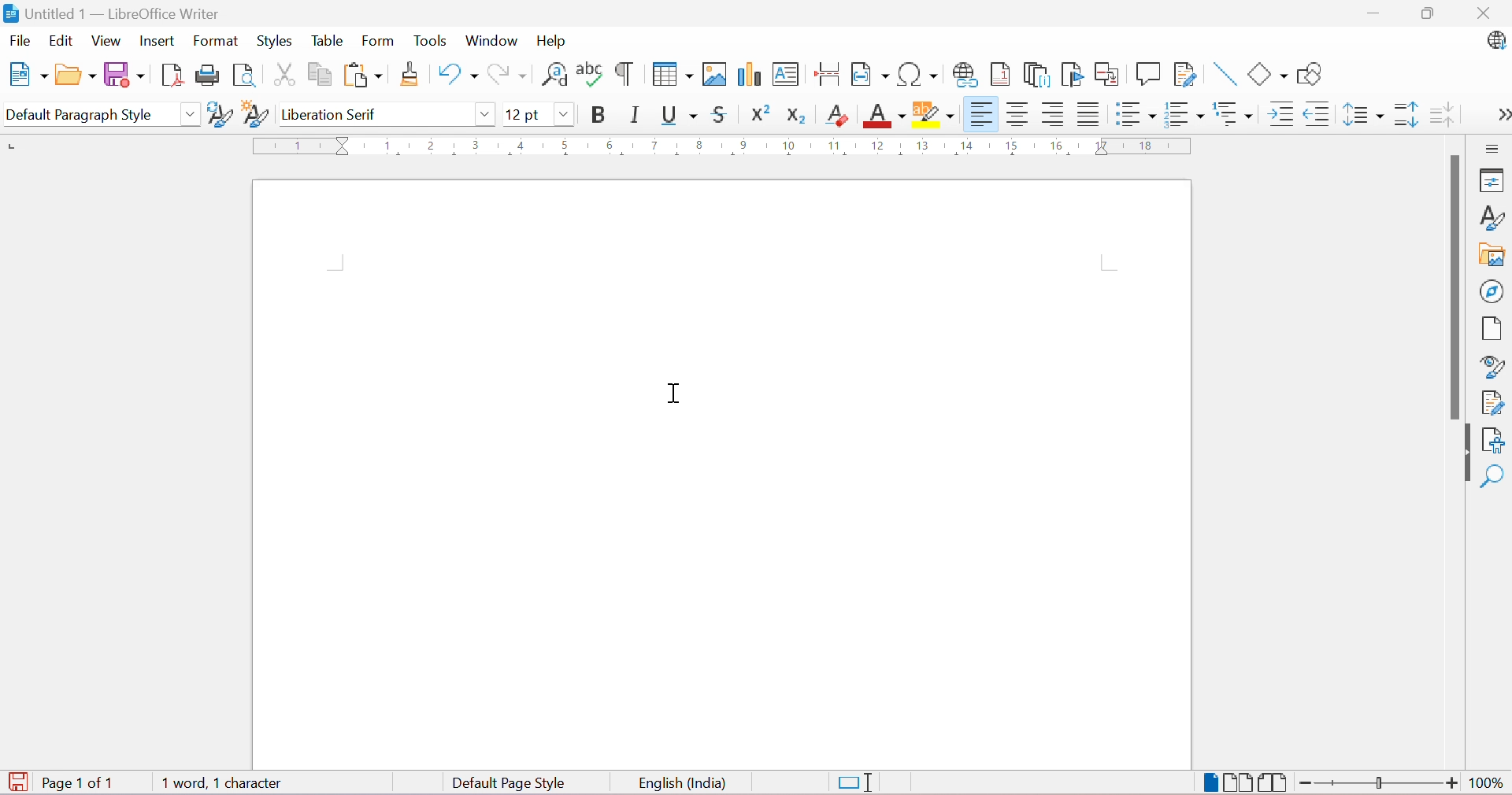 The width and height of the screenshot is (1512, 795). I want to click on Properties, so click(1493, 181).